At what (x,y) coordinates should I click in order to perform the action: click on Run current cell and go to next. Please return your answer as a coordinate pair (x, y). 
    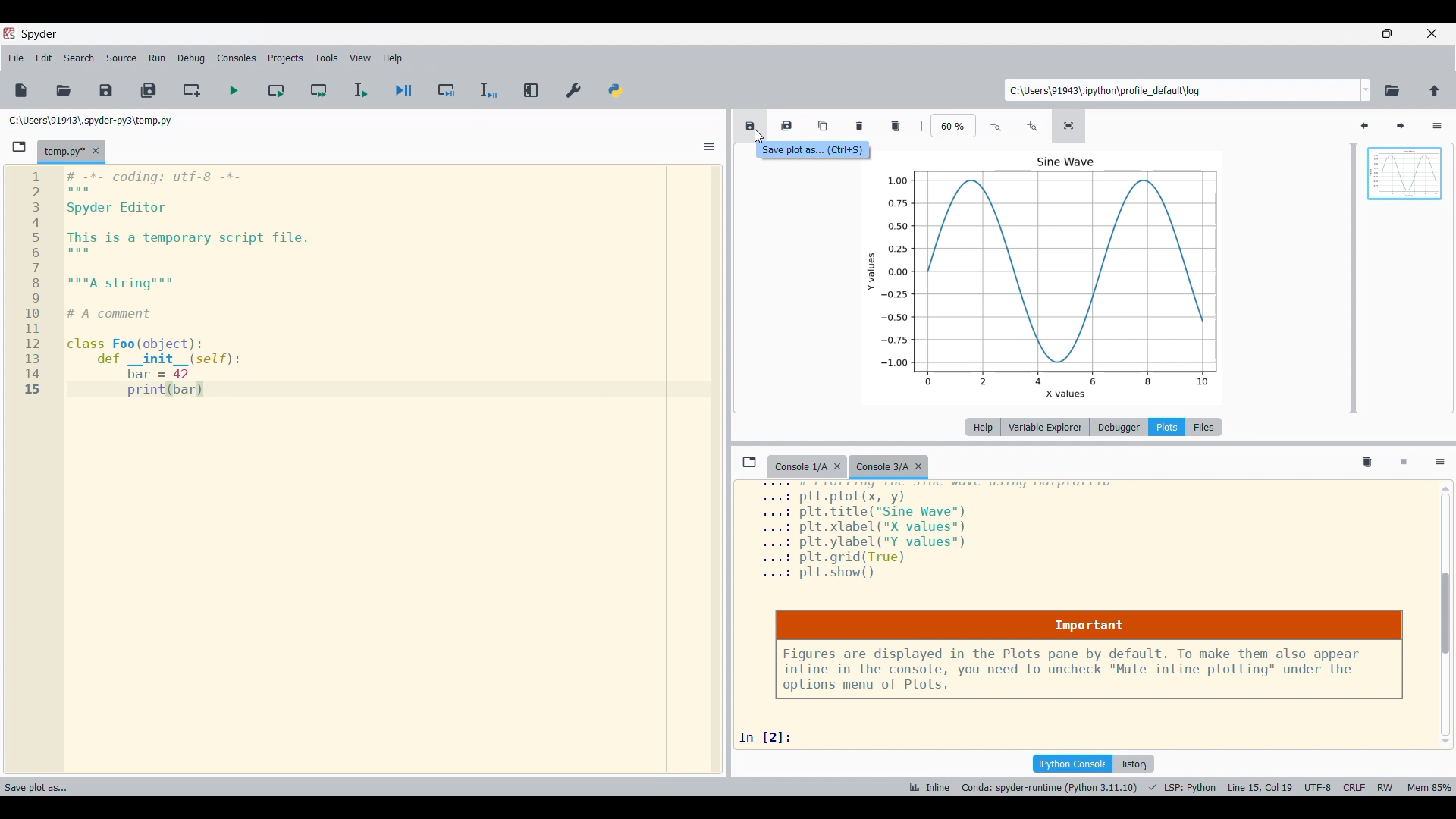
    Looking at the image, I should click on (319, 90).